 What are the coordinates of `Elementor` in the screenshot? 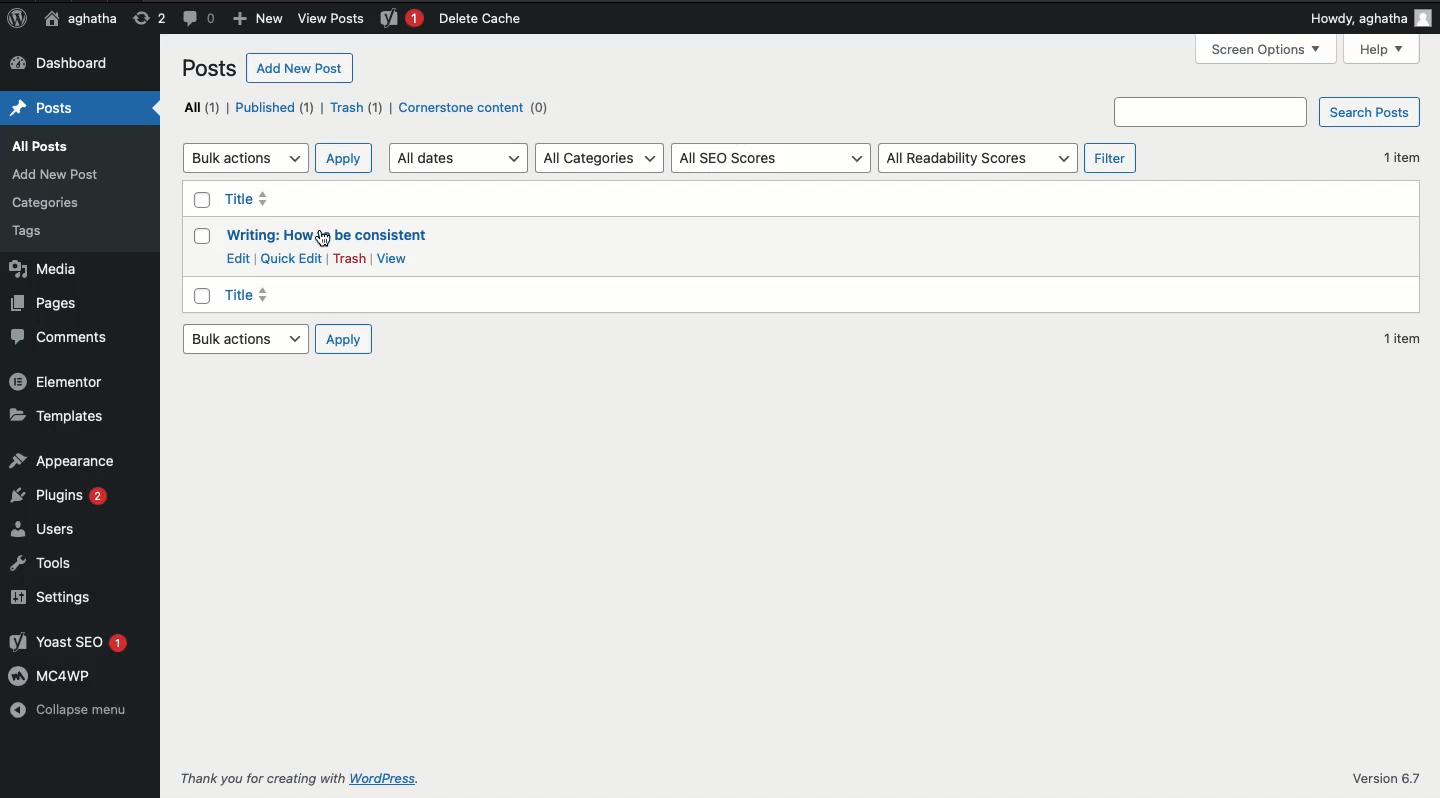 It's located at (61, 382).